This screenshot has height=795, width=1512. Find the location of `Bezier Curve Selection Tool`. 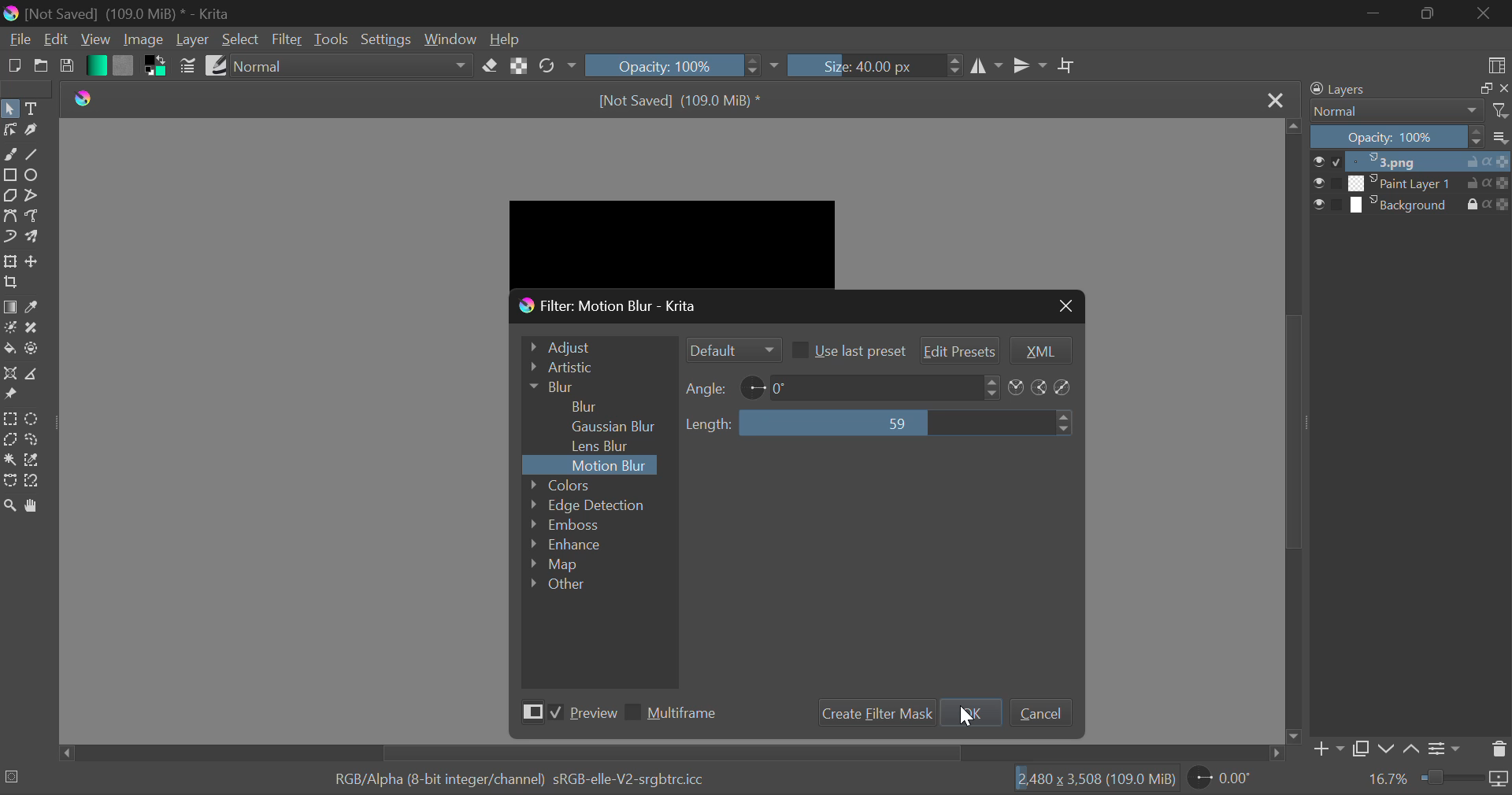

Bezier Curve Selection Tool is located at coordinates (9, 480).